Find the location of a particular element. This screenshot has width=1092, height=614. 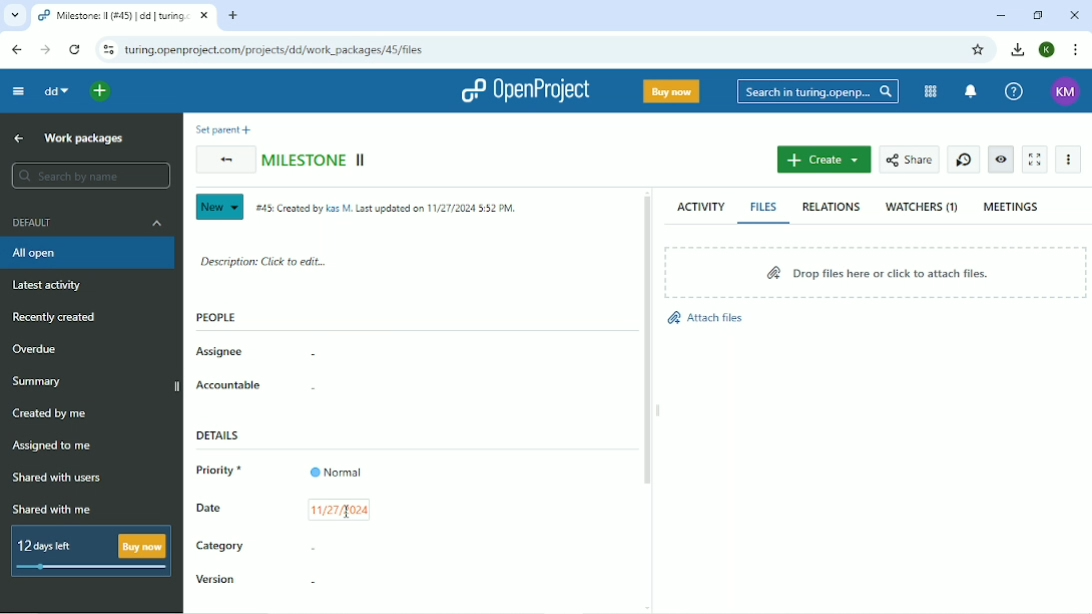

Assignee is located at coordinates (221, 352).